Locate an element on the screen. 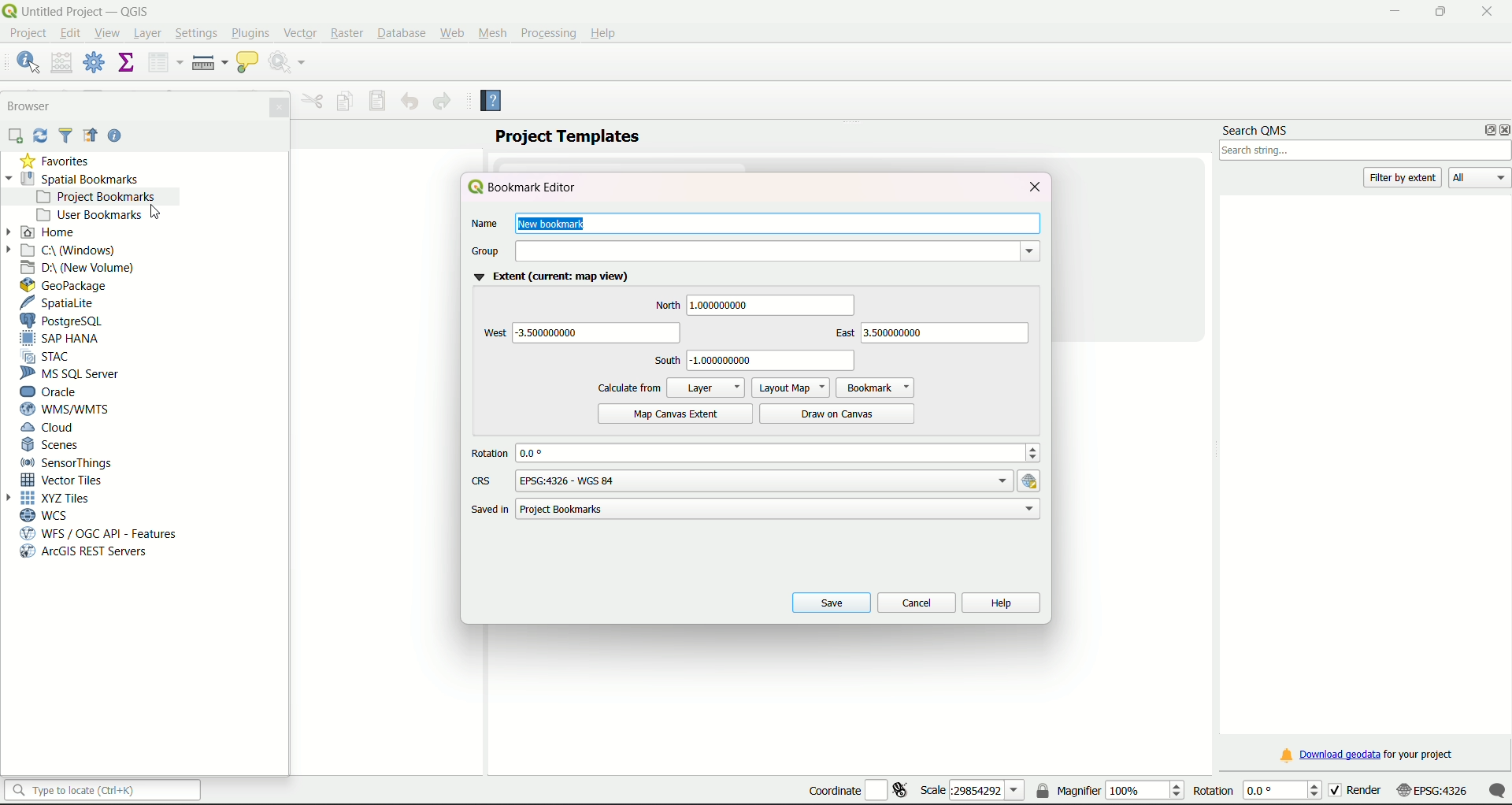 This screenshot has width=1512, height=805. help is located at coordinates (1001, 603).